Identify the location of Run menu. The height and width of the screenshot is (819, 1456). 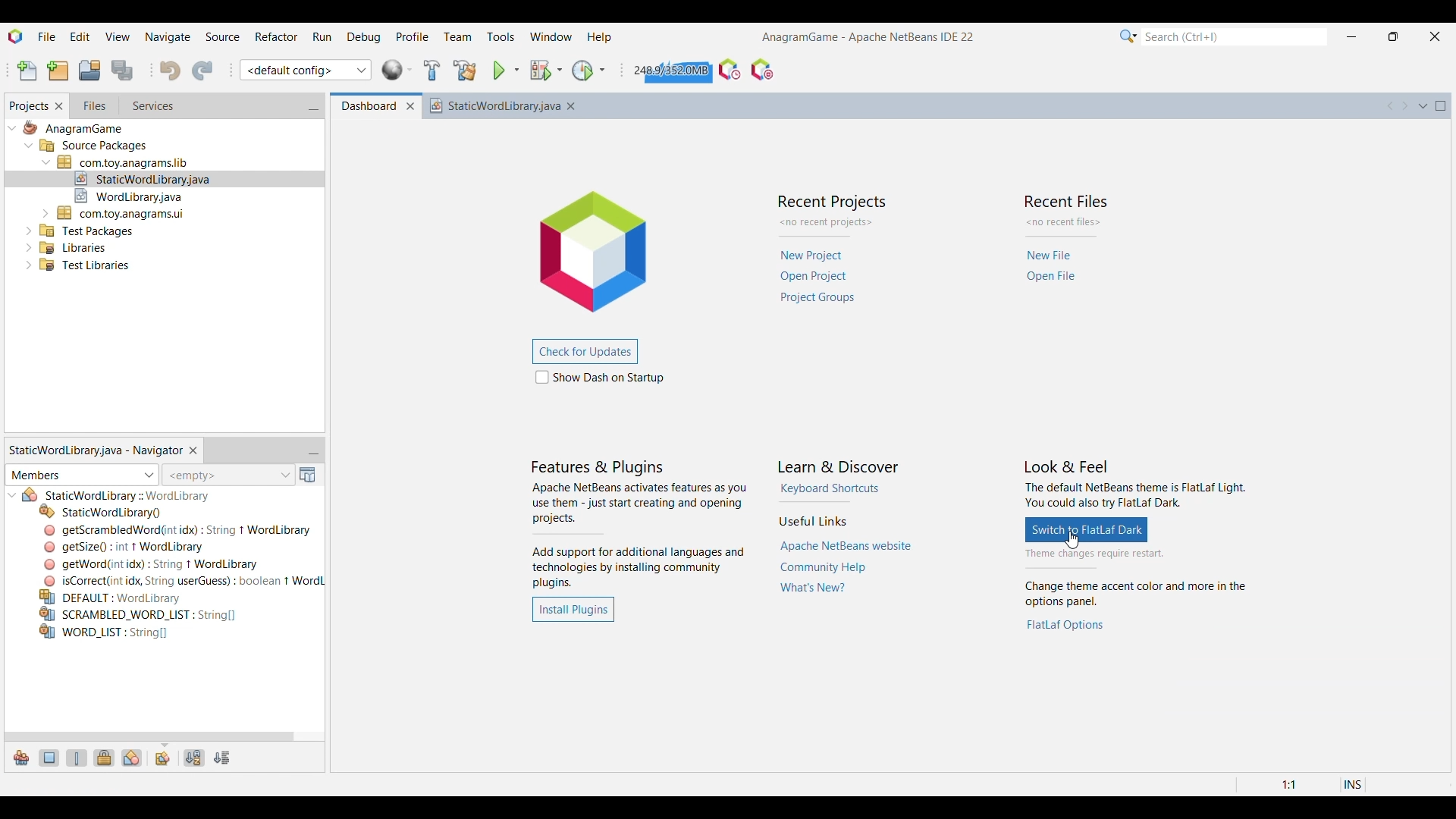
(322, 36).